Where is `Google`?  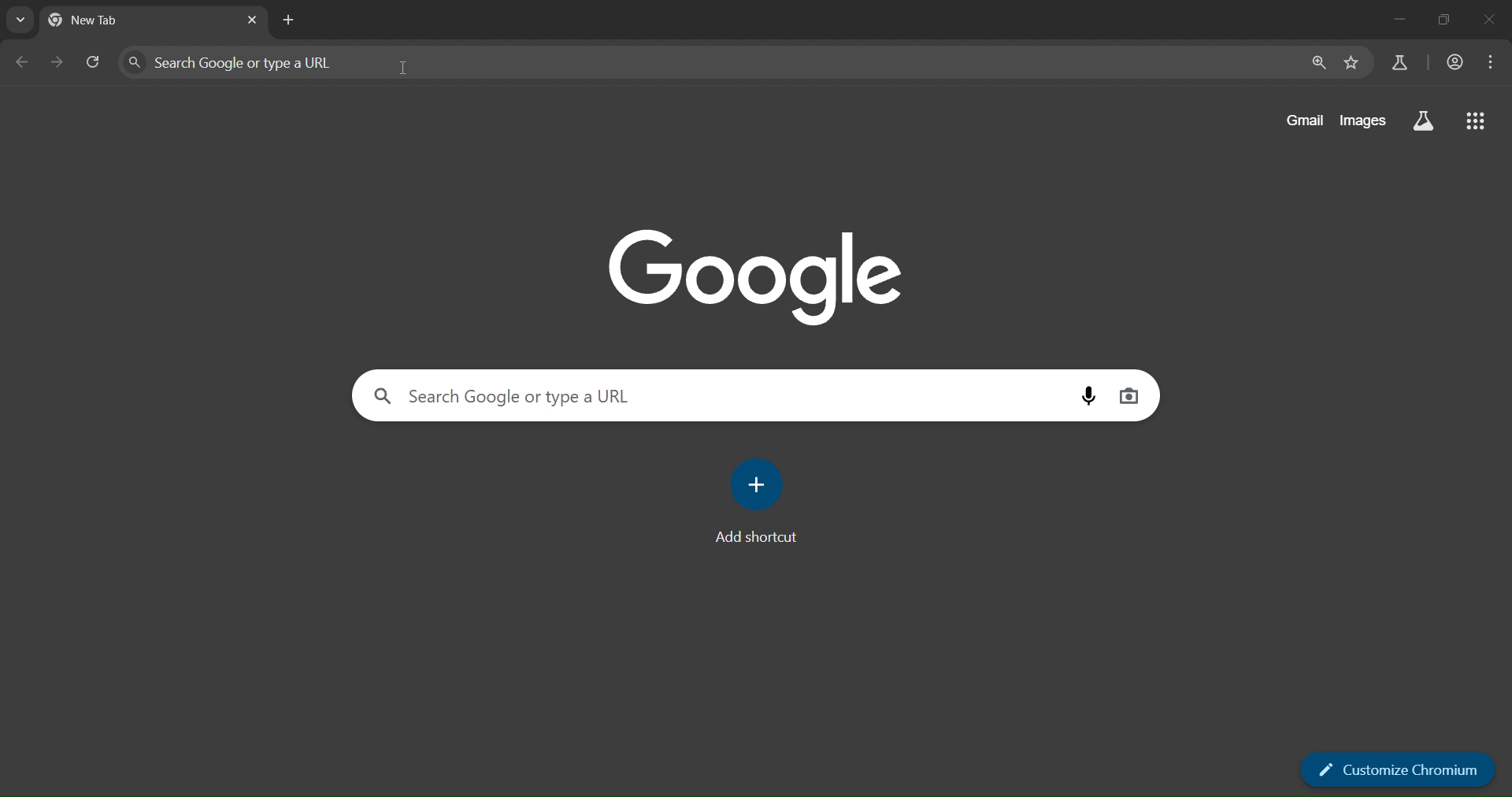 Google is located at coordinates (781, 274).